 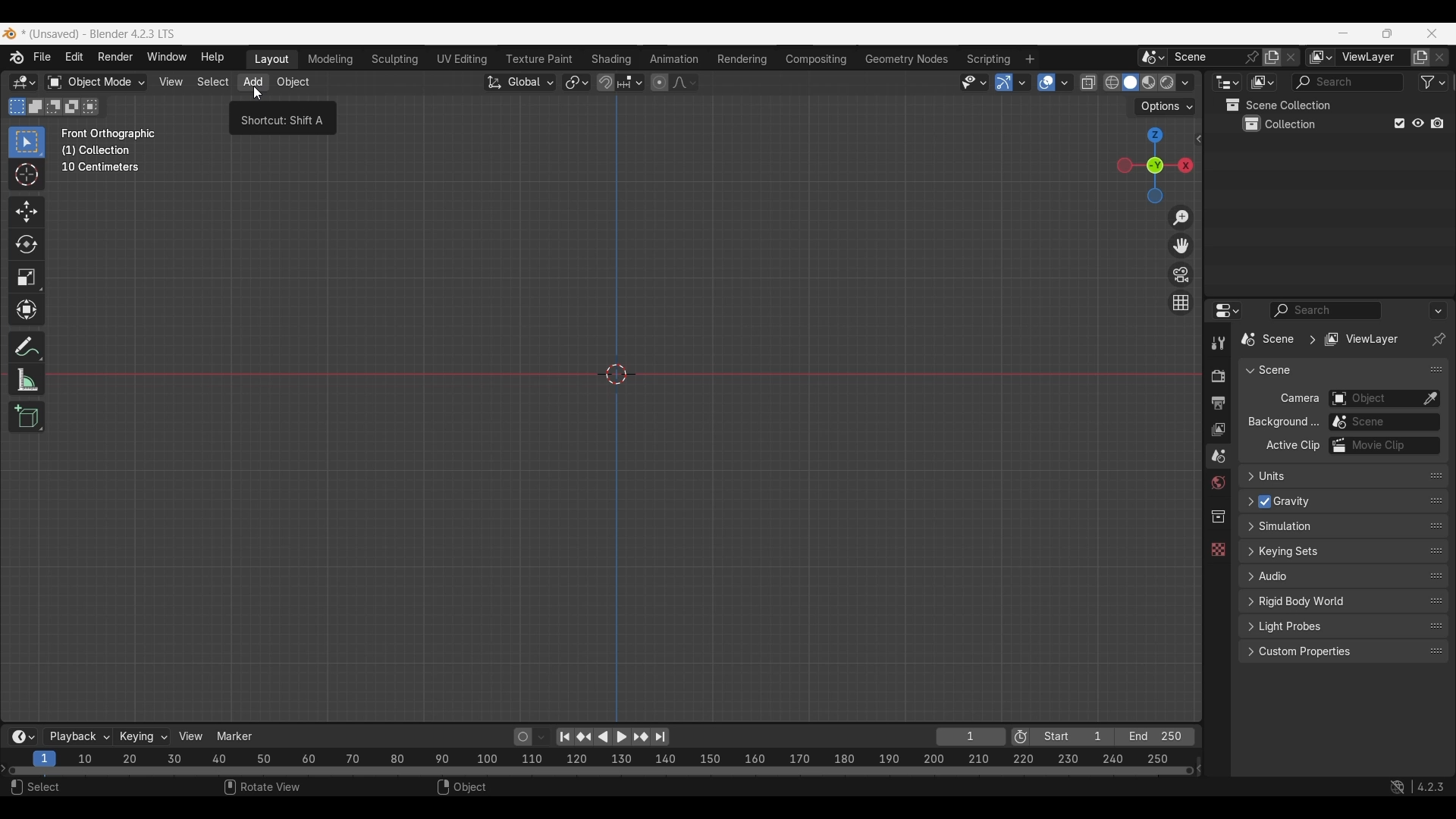 I want to click on Click to expand, so click(x=1332, y=475).